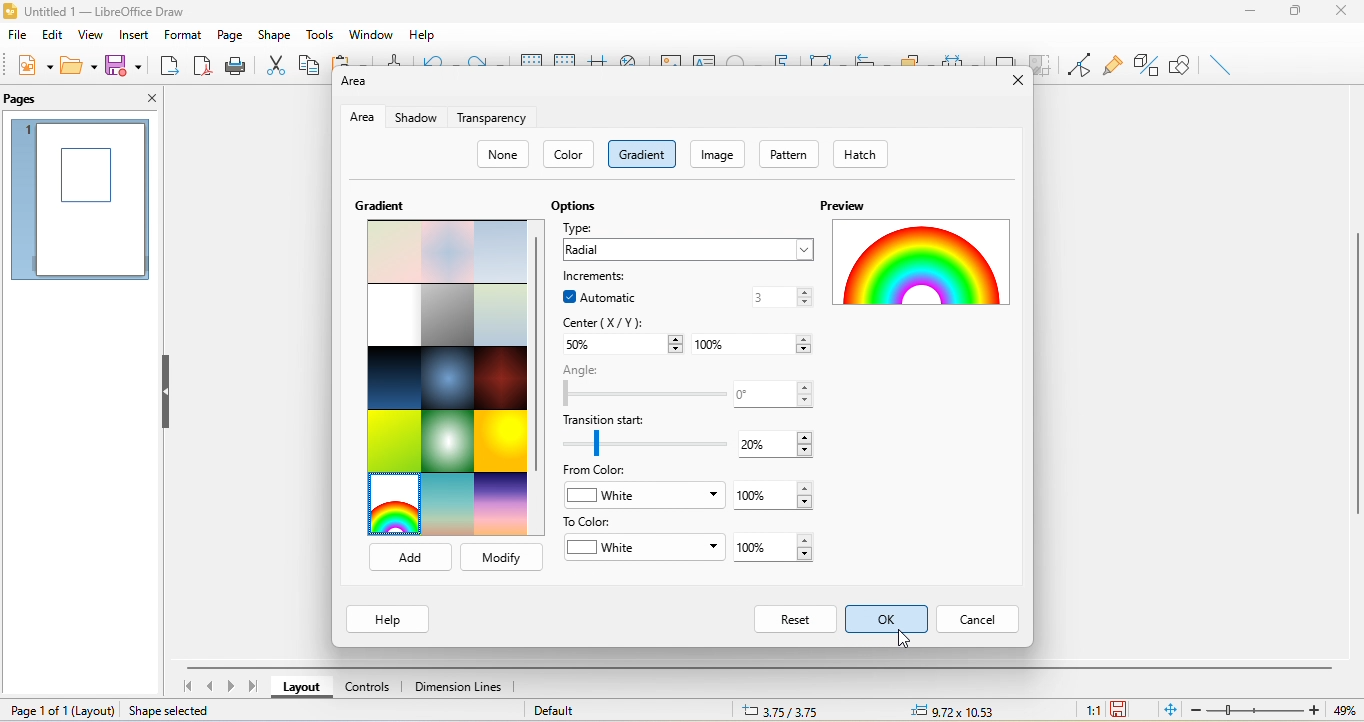 Image resolution: width=1364 pixels, height=722 pixels. Describe the element at coordinates (688, 386) in the screenshot. I see `angle 0` at that location.